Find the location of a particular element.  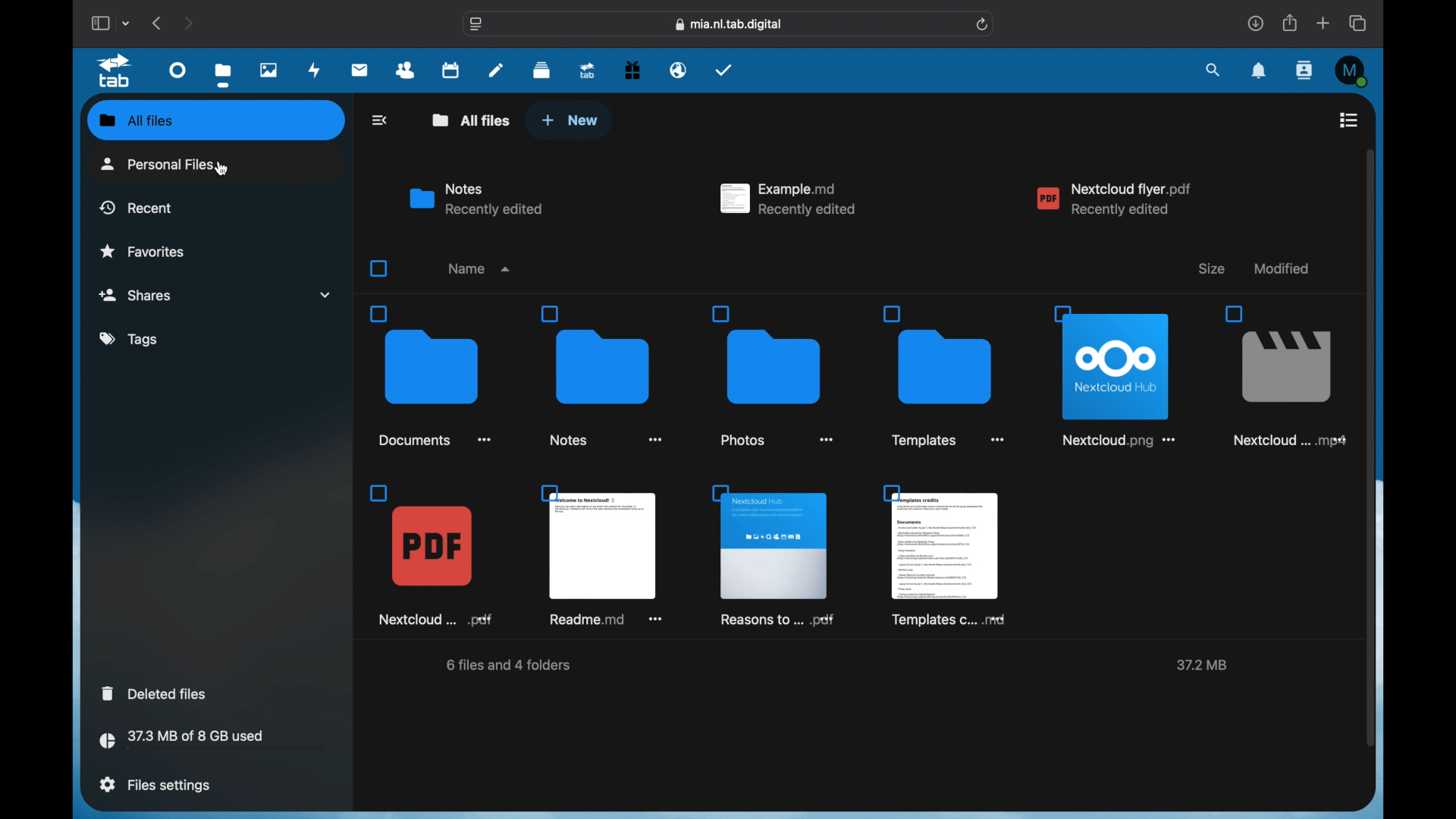

storage is located at coordinates (212, 742).